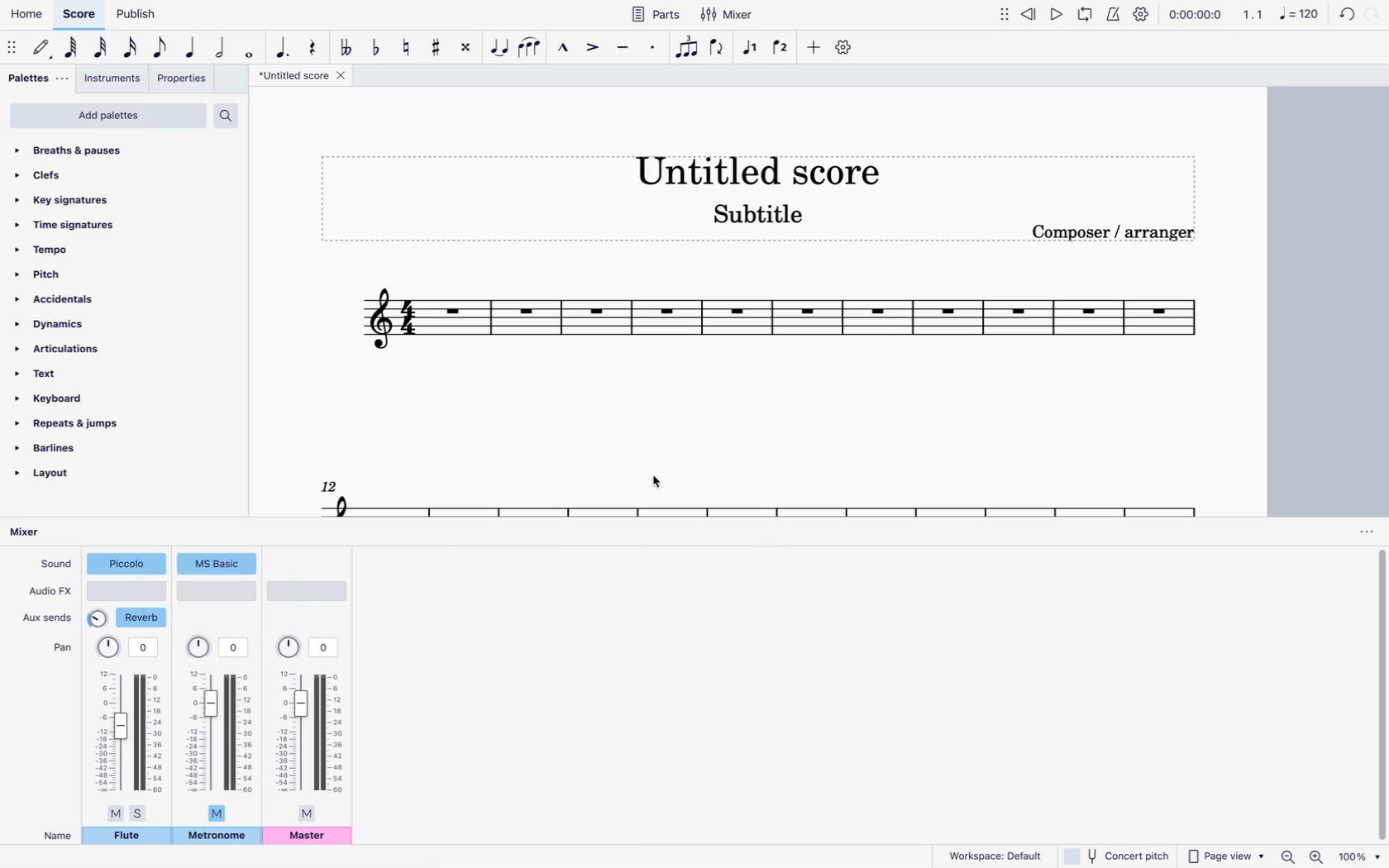 Image resolution: width=1389 pixels, height=868 pixels. I want to click on default, so click(43, 48).